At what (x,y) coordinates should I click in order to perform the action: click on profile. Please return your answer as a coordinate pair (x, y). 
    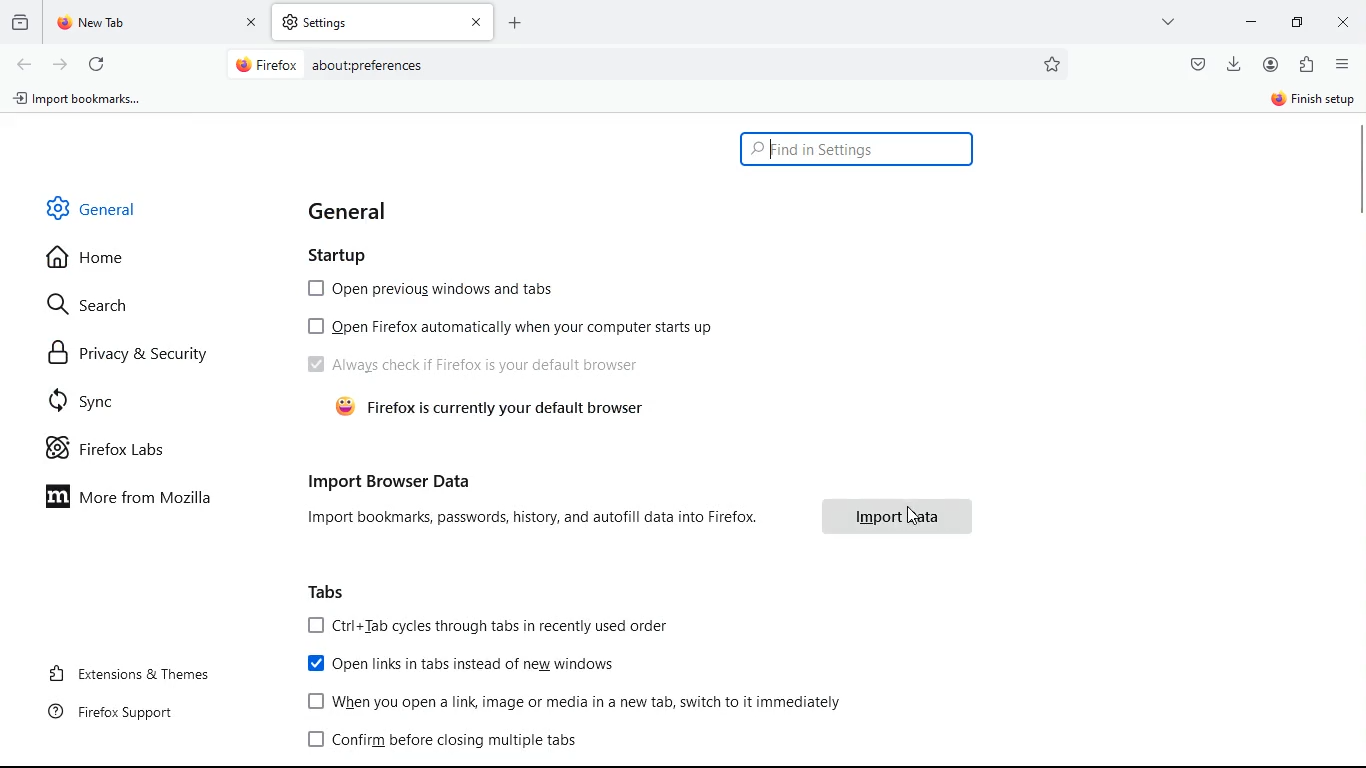
    Looking at the image, I should click on (1270, 64).